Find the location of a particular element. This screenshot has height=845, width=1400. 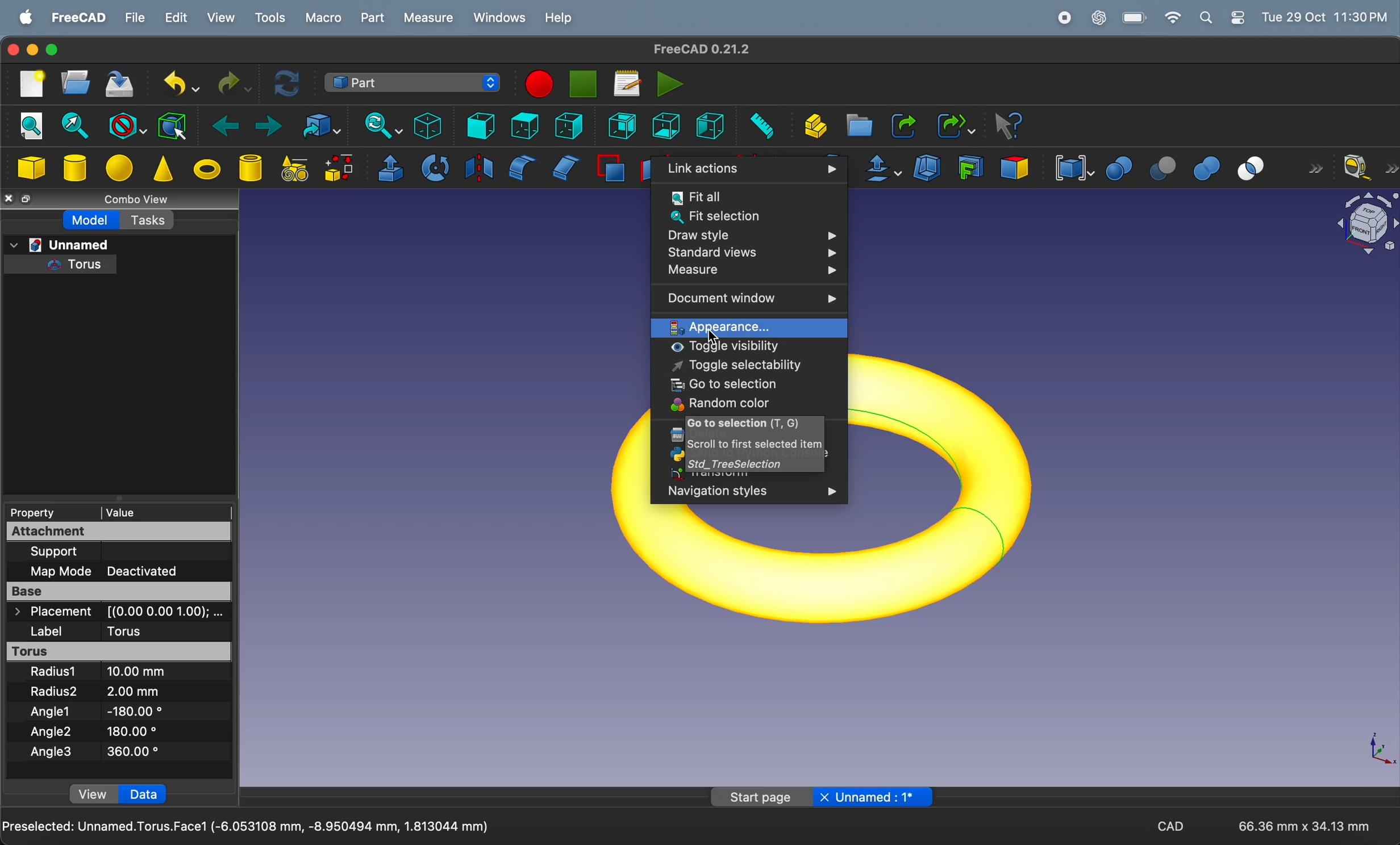

tasks is located at coordinates (151, 220).